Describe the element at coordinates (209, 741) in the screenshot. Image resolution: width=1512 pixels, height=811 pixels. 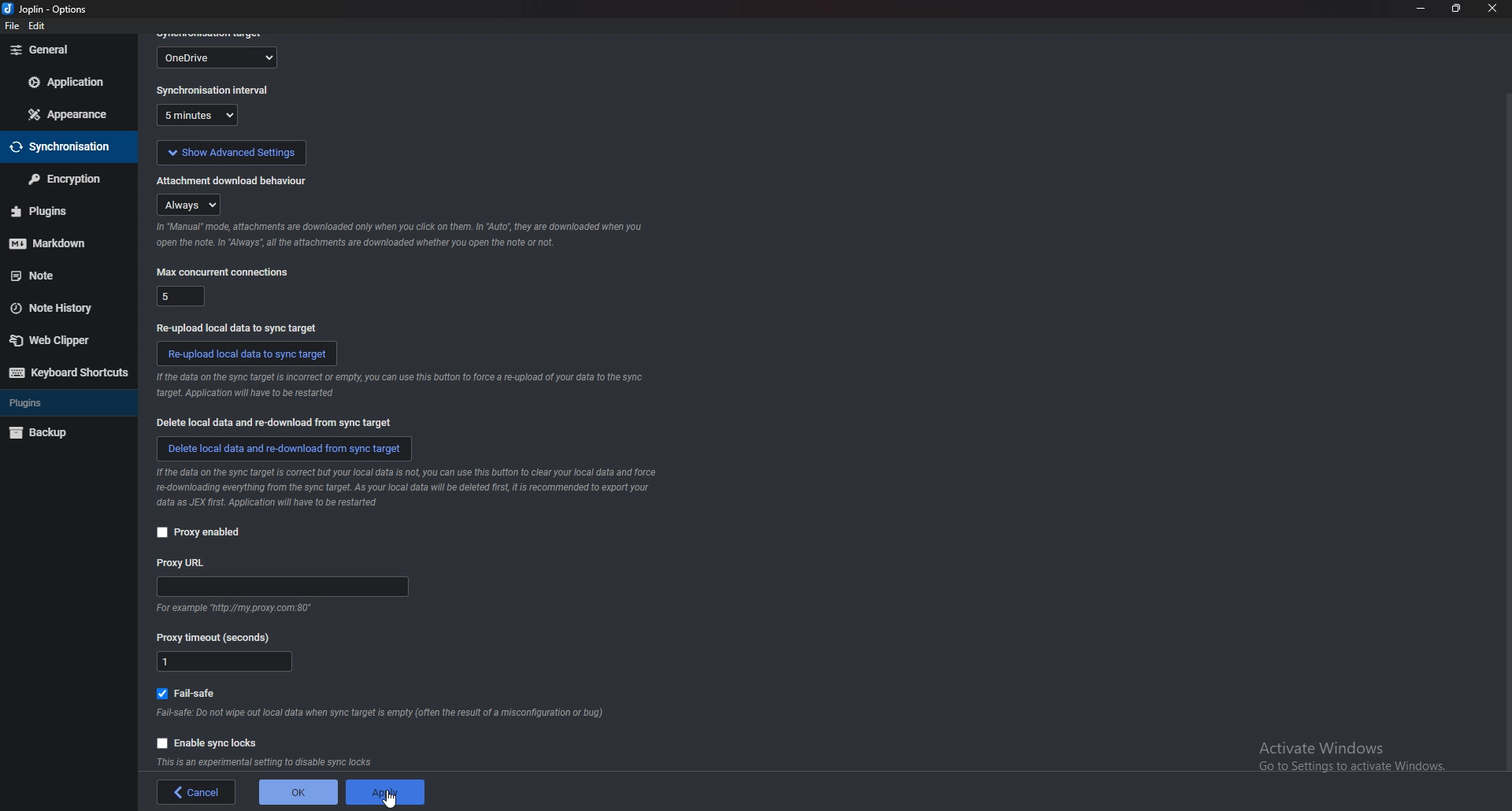
I see `enable sync lock` at that location.